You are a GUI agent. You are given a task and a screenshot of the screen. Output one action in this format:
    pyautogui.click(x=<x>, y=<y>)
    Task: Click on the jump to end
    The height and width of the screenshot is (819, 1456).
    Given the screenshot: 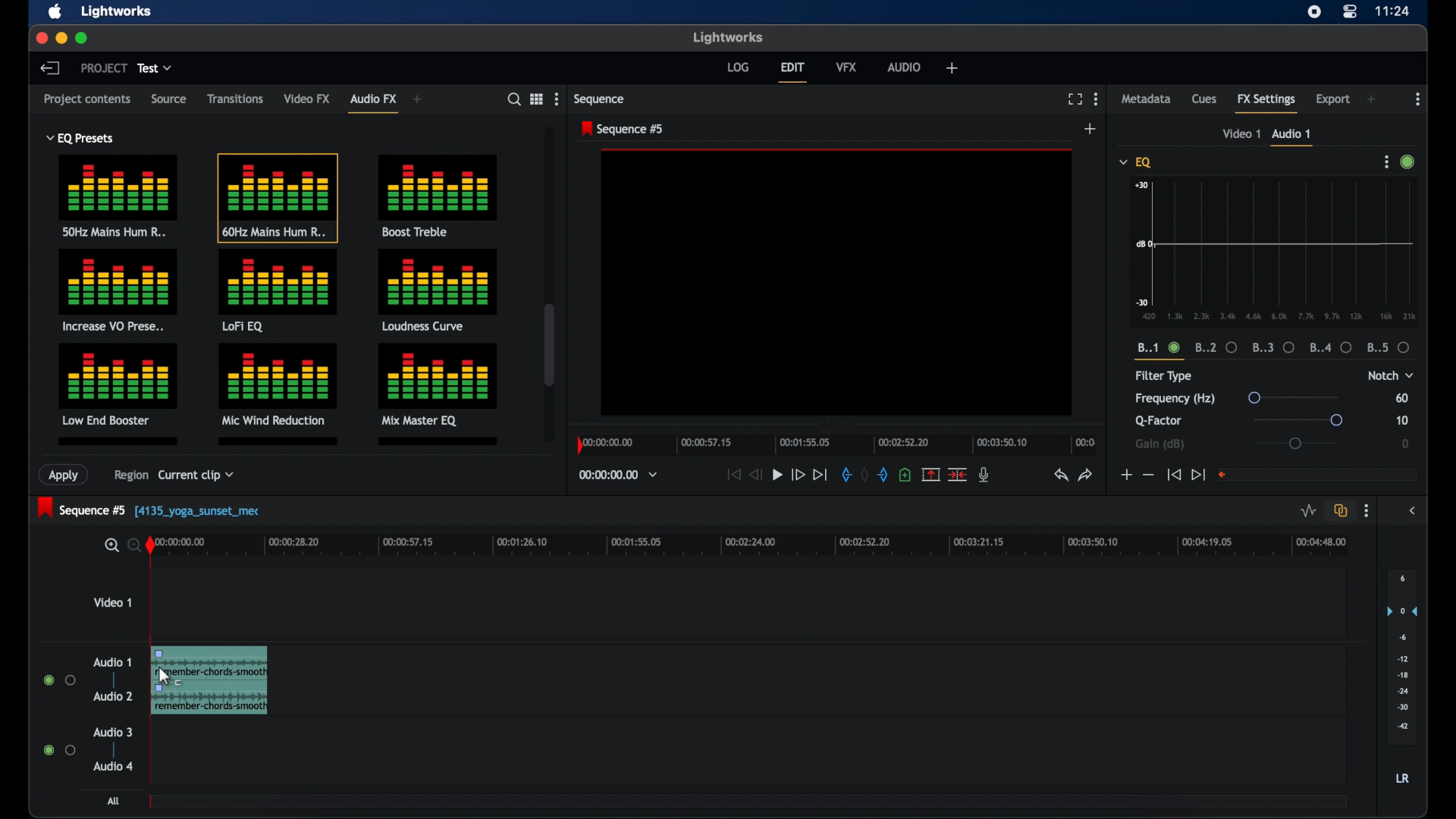 What is the action you would take?
    pyautogui.click(x=1200, y=474)
    